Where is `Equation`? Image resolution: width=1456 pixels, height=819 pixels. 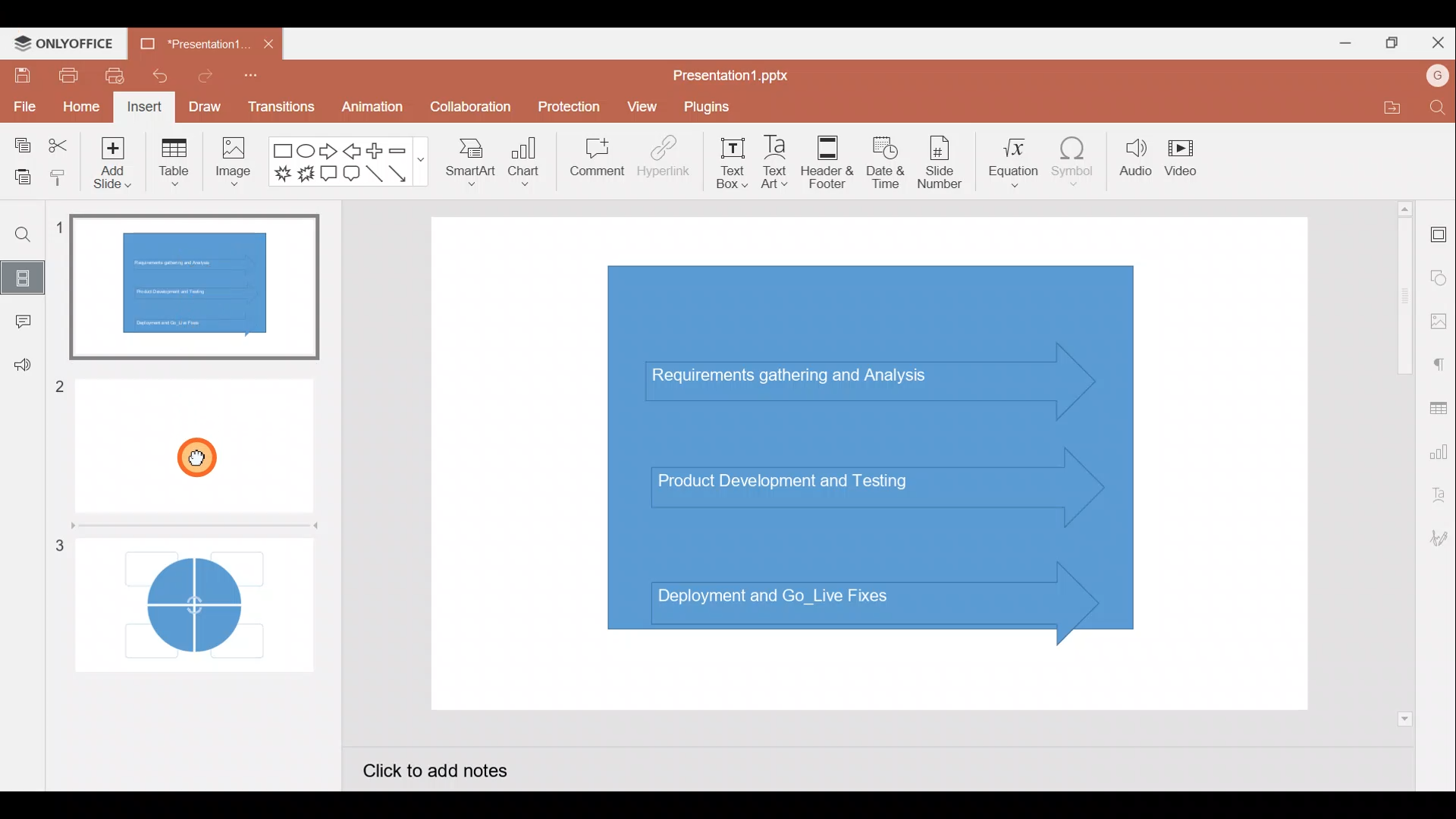
Equation is located at coordinates (1009, 163).